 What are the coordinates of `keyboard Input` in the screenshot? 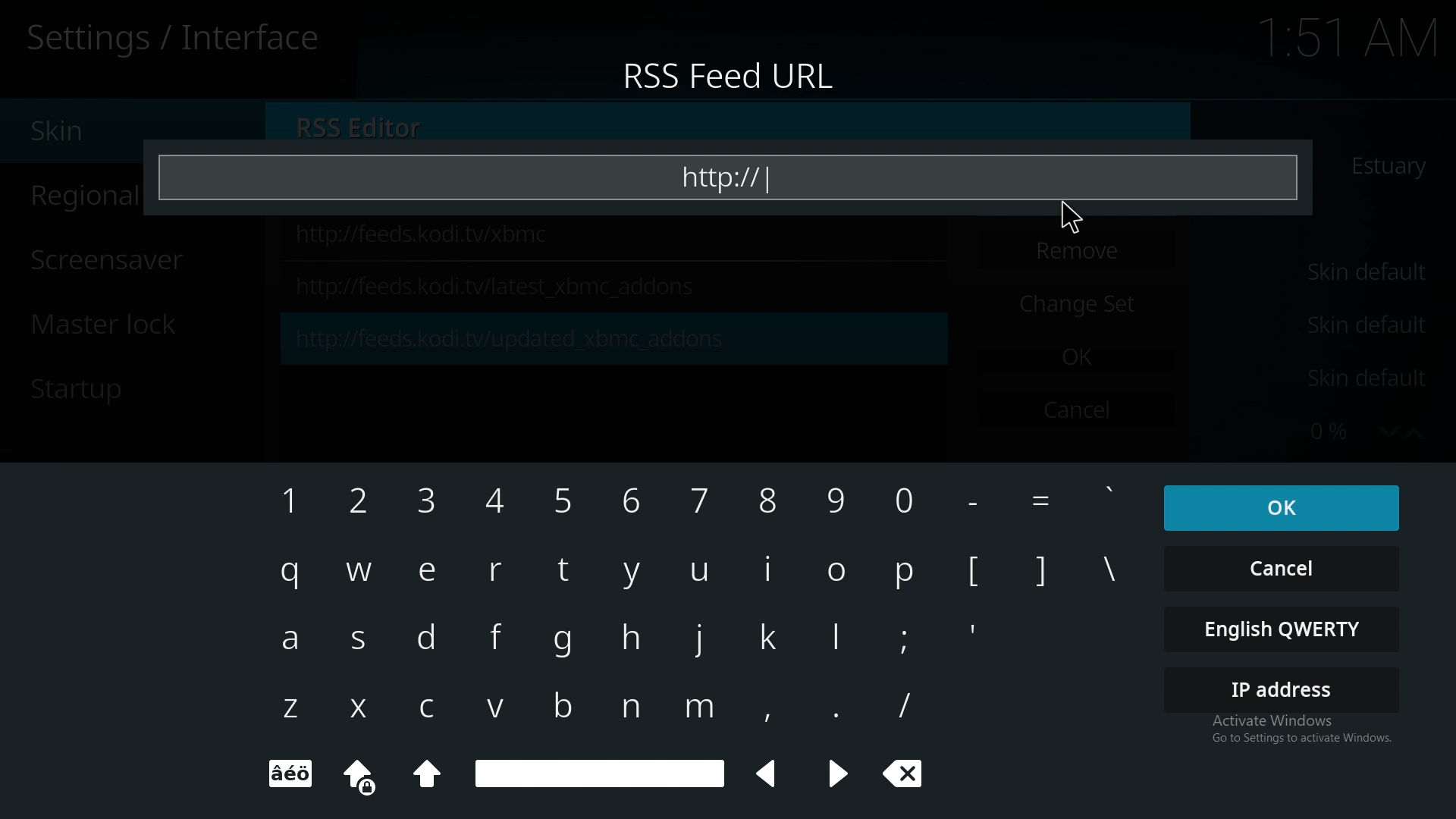 It's located at (770, 711).